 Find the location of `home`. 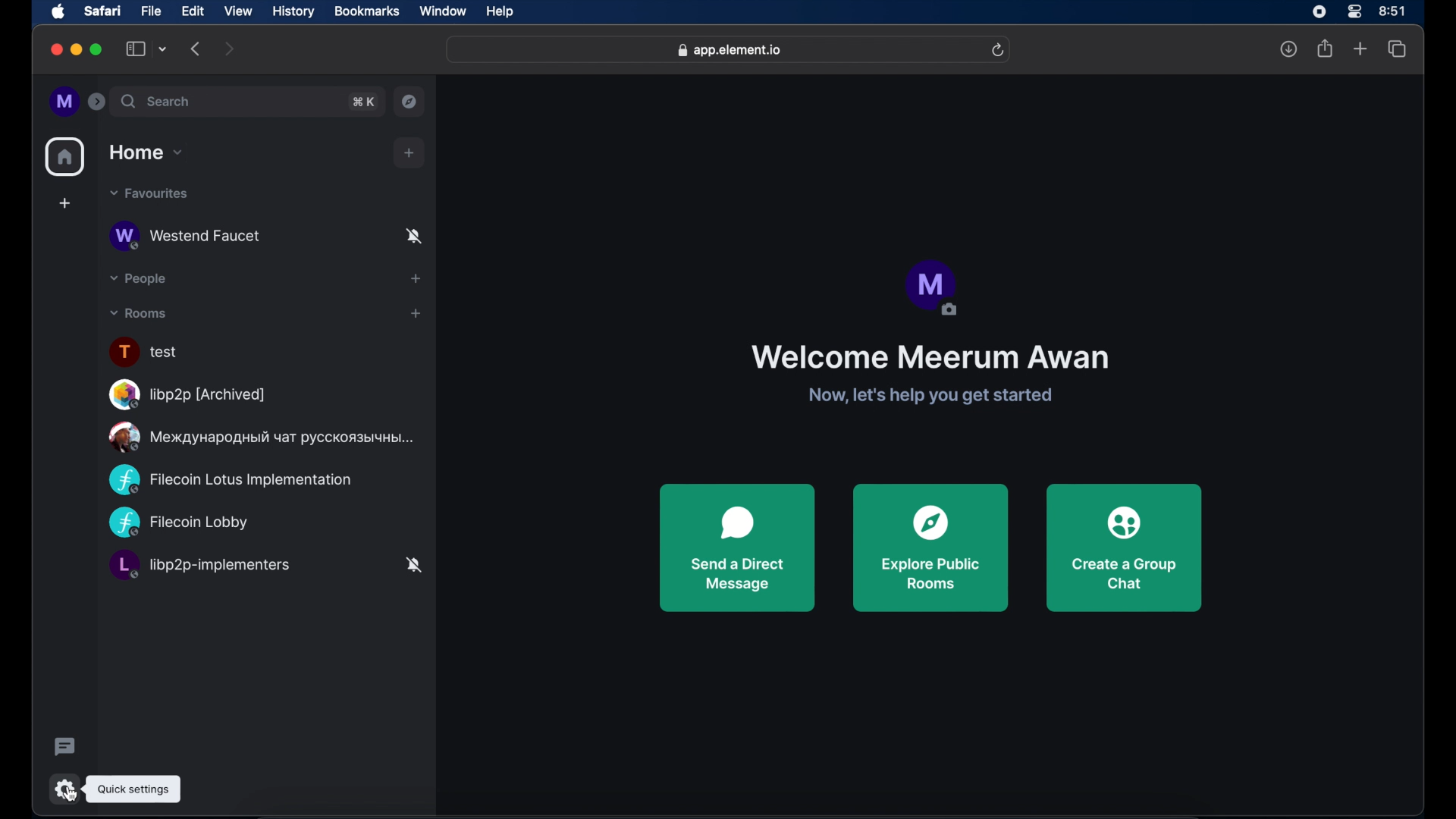

home is located at coordinates (63, 157).